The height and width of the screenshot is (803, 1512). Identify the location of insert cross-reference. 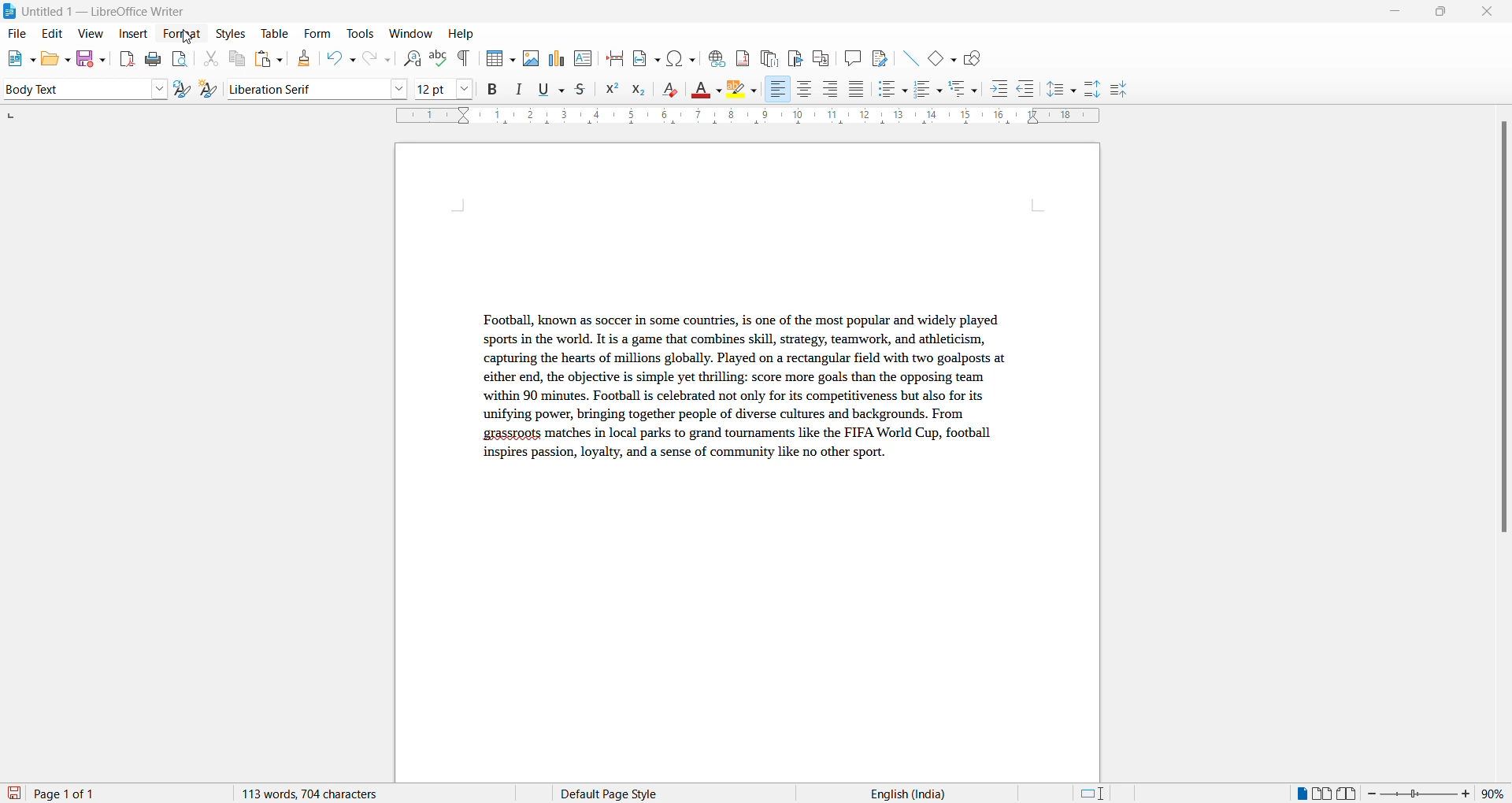
(878, 57).